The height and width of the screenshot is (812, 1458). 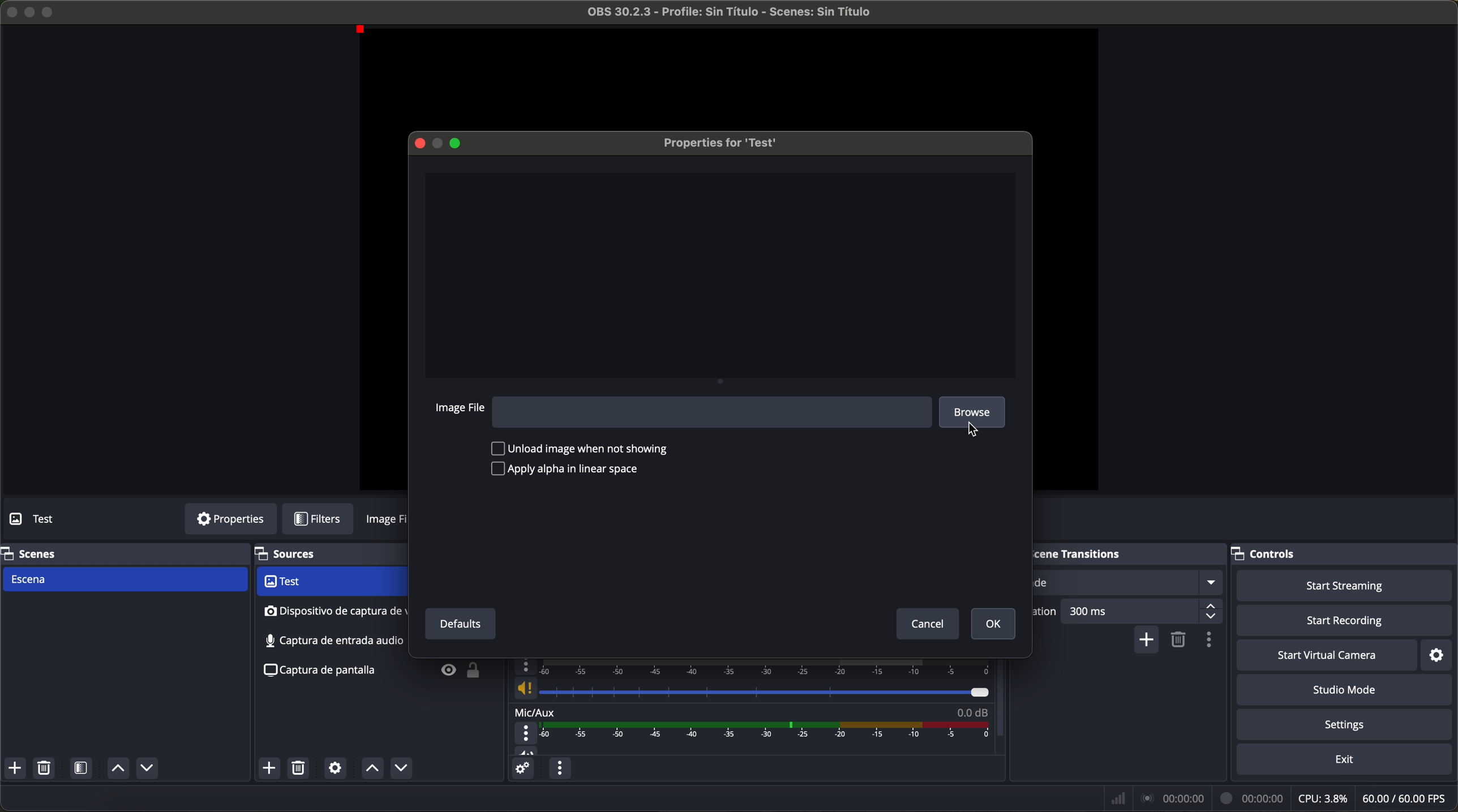 I want to click on start recording, so click(x=1346, y=621).